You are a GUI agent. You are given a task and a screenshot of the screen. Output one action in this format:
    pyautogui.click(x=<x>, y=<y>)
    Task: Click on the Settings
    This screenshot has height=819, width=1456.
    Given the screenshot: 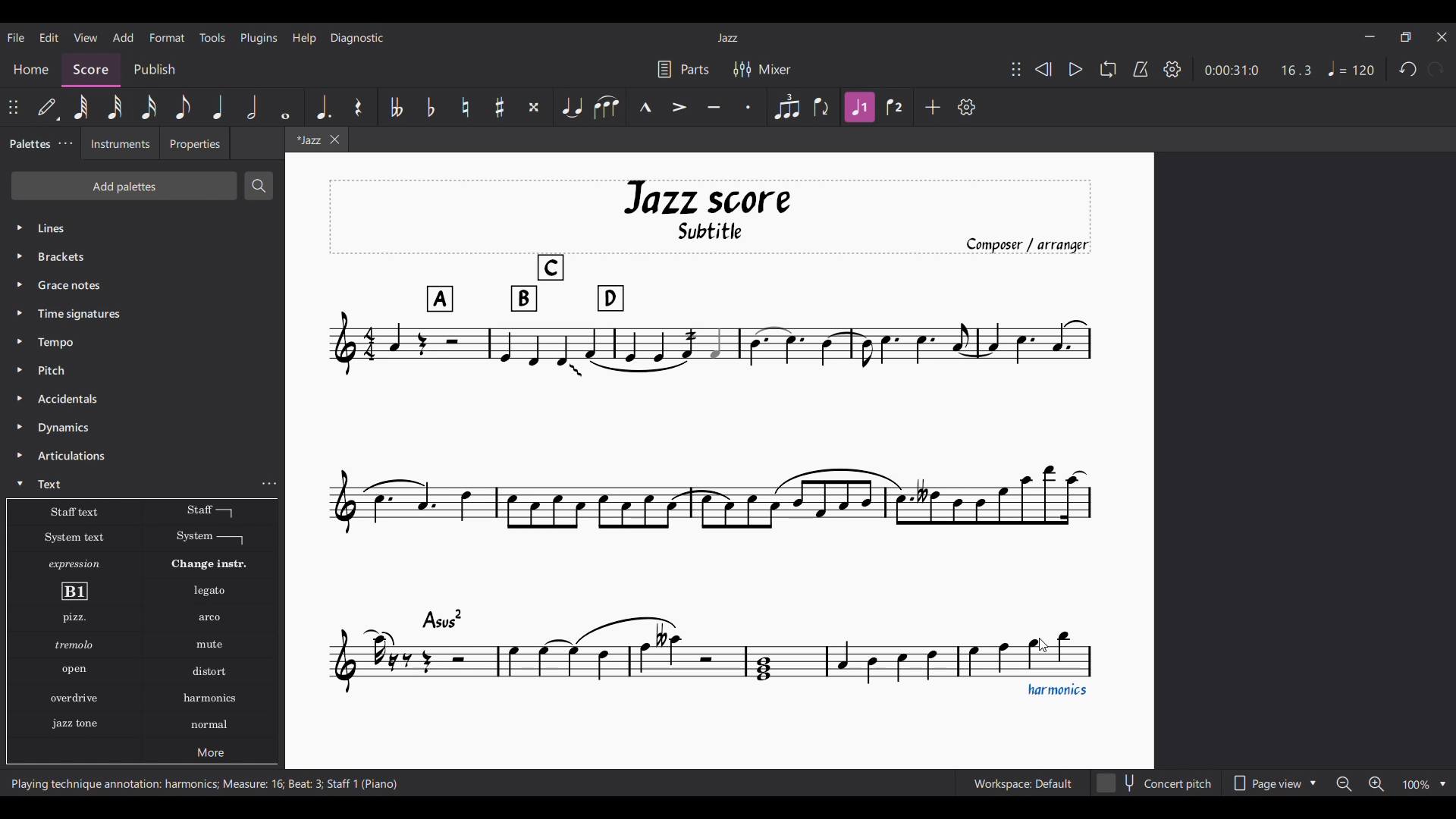 What is the action you would take?
    pyautogui.click(x=967, y=107)
    